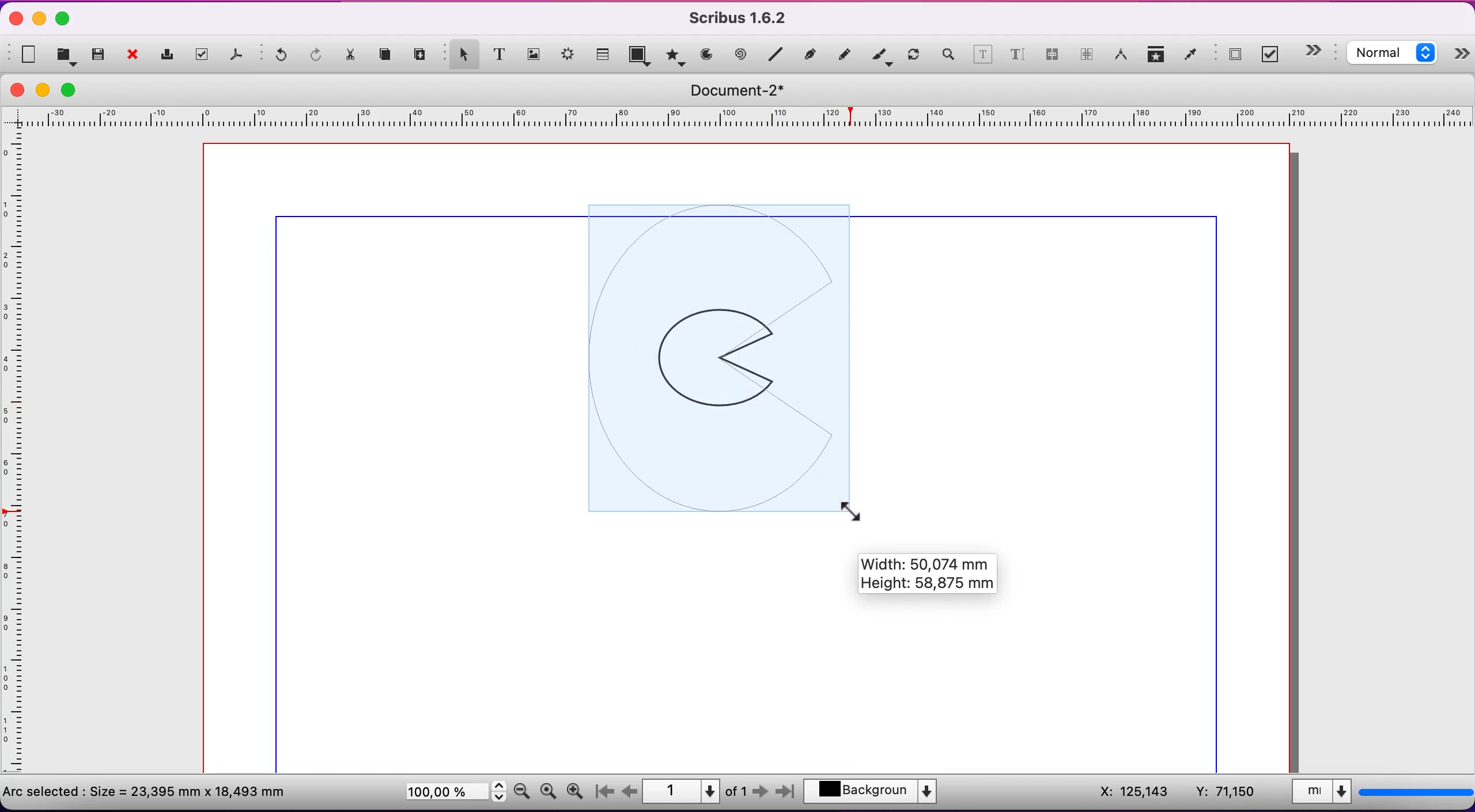 The height and width of the screenshot is (812, 1475). I want to click on bezier curve, so click(812, 54).